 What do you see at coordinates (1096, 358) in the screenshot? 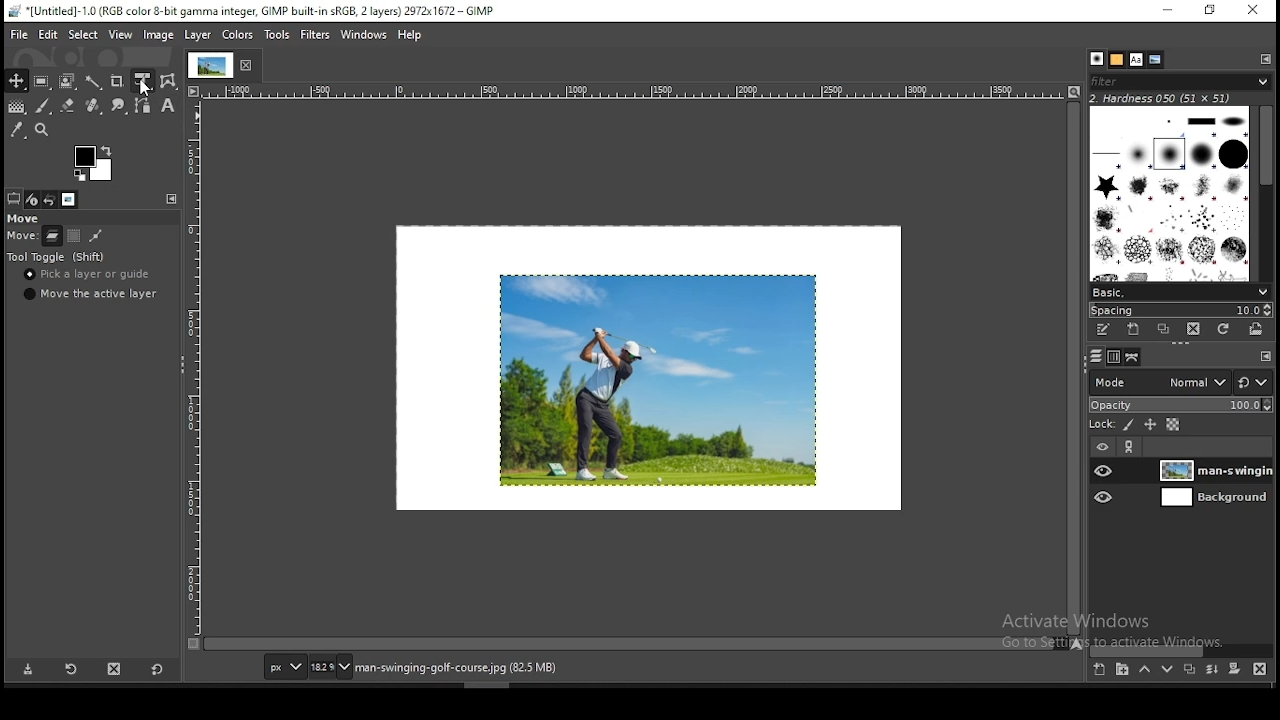
I see `layers` at bounding box center [1096, 358].